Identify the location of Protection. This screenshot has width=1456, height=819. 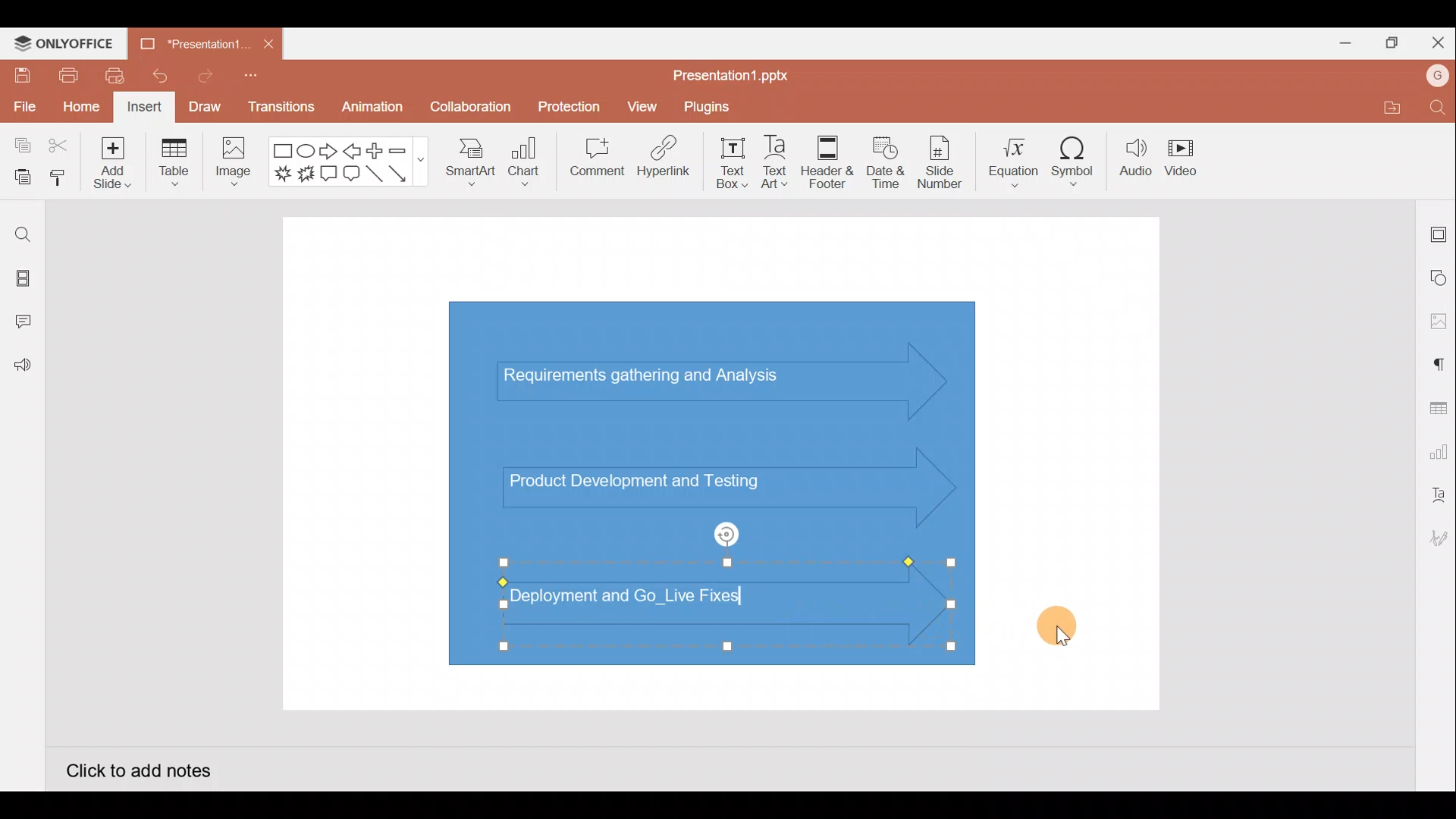
(565, 107).